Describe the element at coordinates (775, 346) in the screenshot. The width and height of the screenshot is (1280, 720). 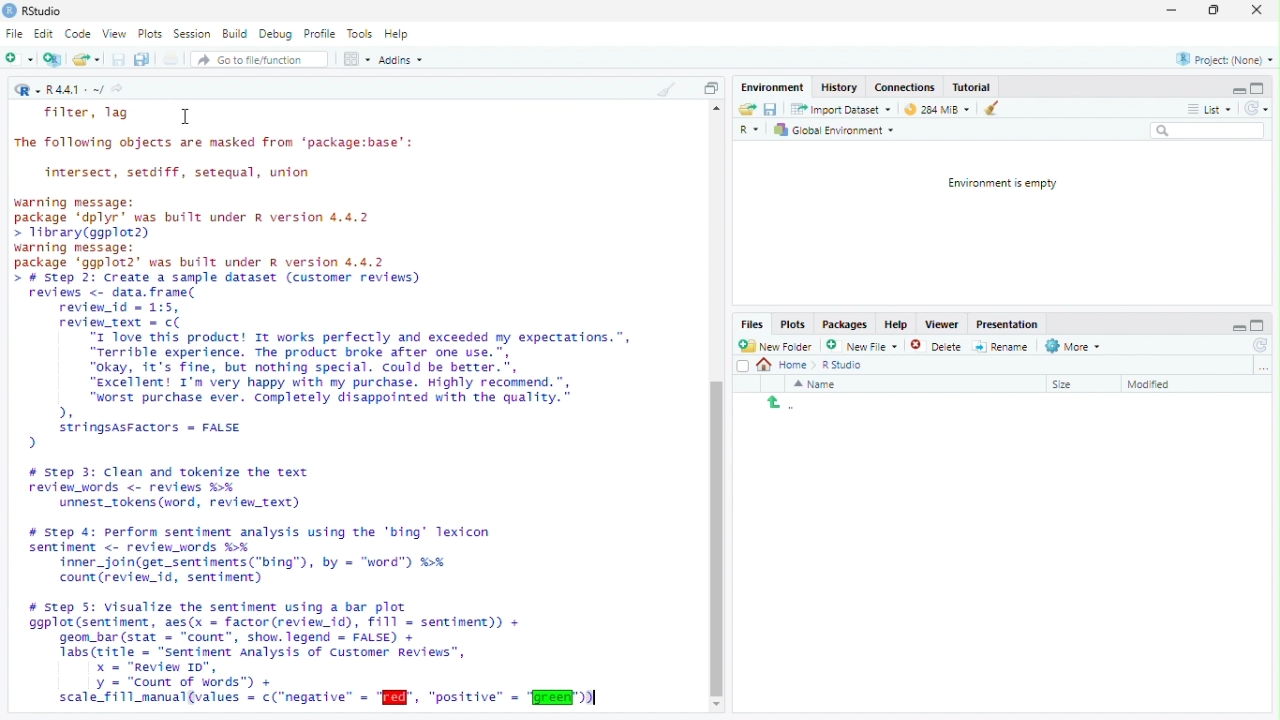
I see `New Folder` at that location.